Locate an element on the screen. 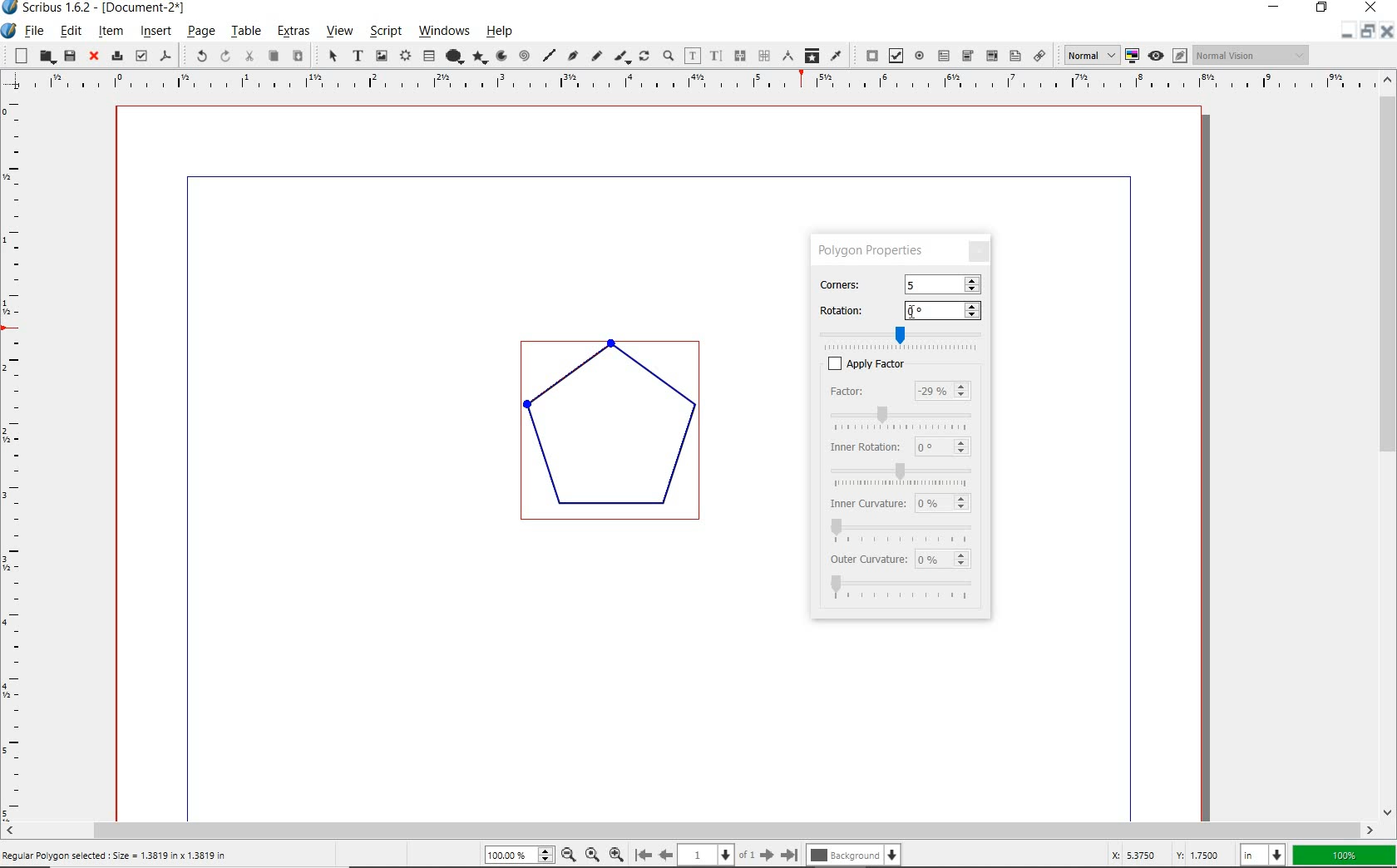  view is located at coordinates (339, 32).